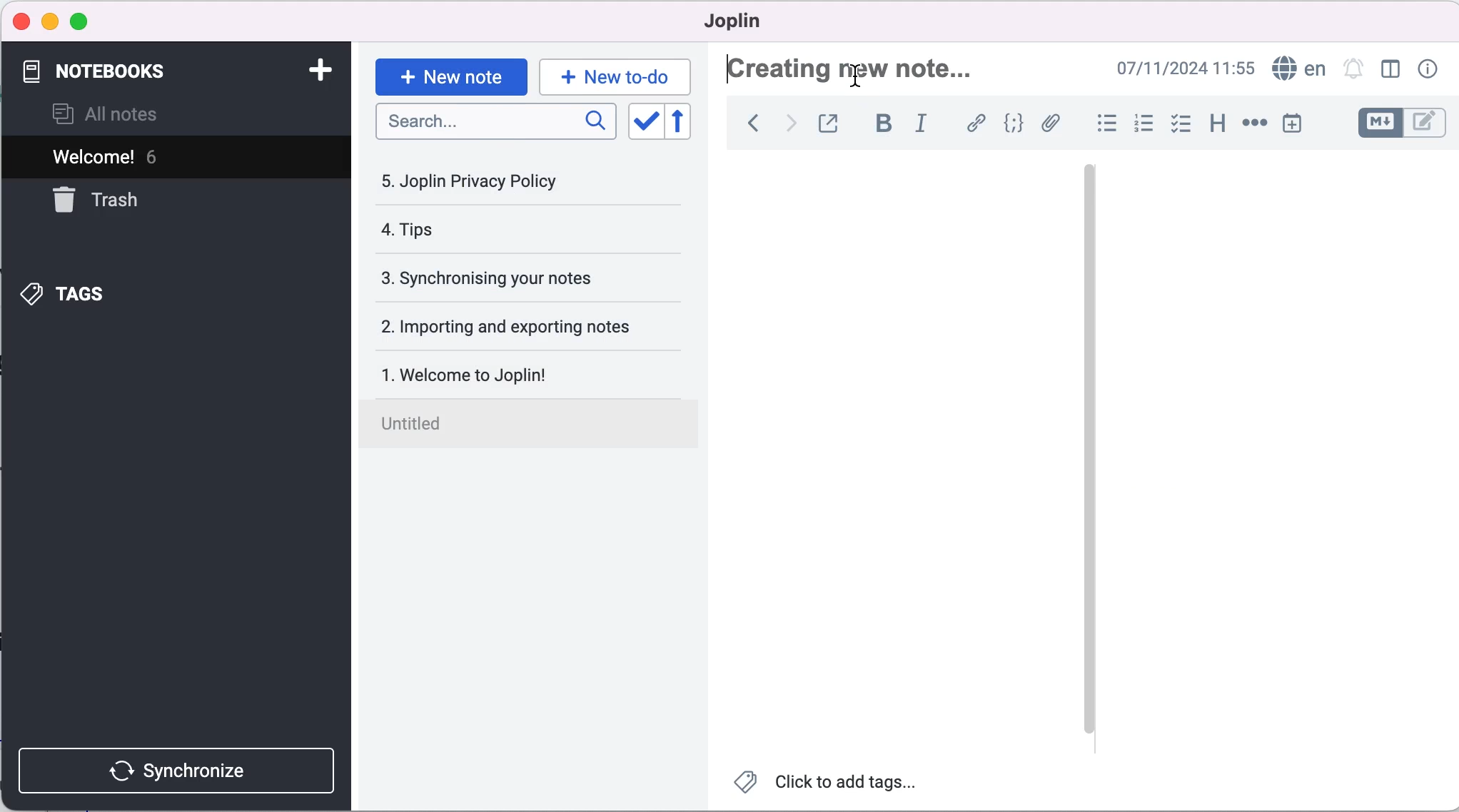  What do you see at coordinates (79, 23) in the screenshot?
I see `maximize` at bounding box center [79, 23].